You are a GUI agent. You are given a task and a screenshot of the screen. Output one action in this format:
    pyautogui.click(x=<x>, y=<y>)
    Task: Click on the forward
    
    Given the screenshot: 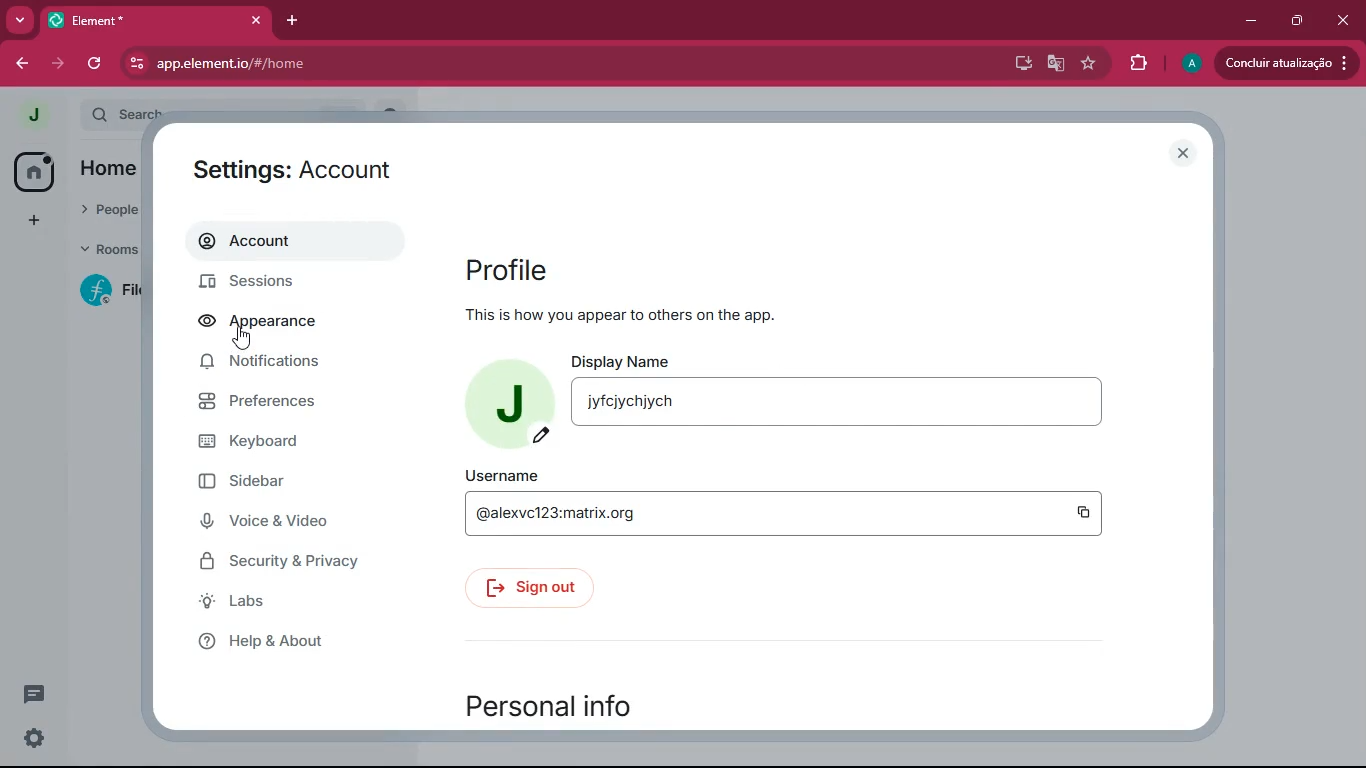 What is the action you would take?
    pyautogui.click(x=61, y=65)
    